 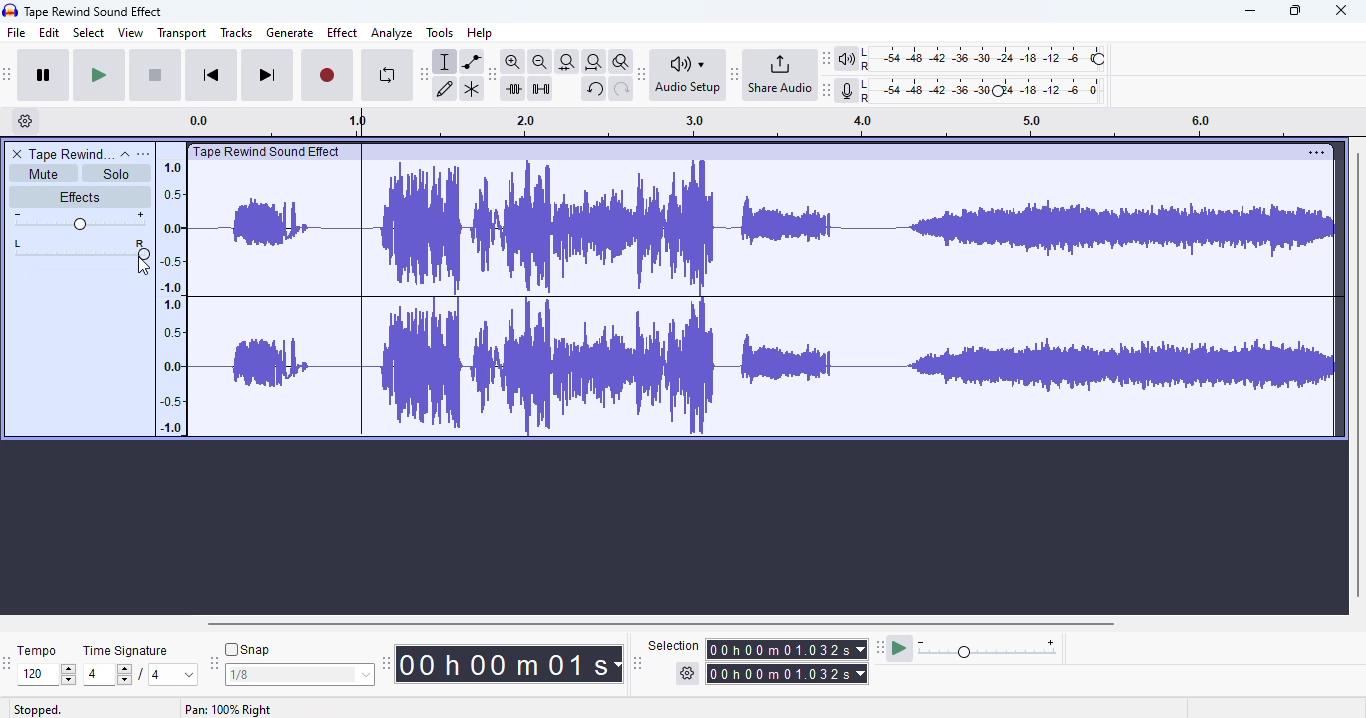 I want to click on audacity time toolbar, so click(x=386, y=663).